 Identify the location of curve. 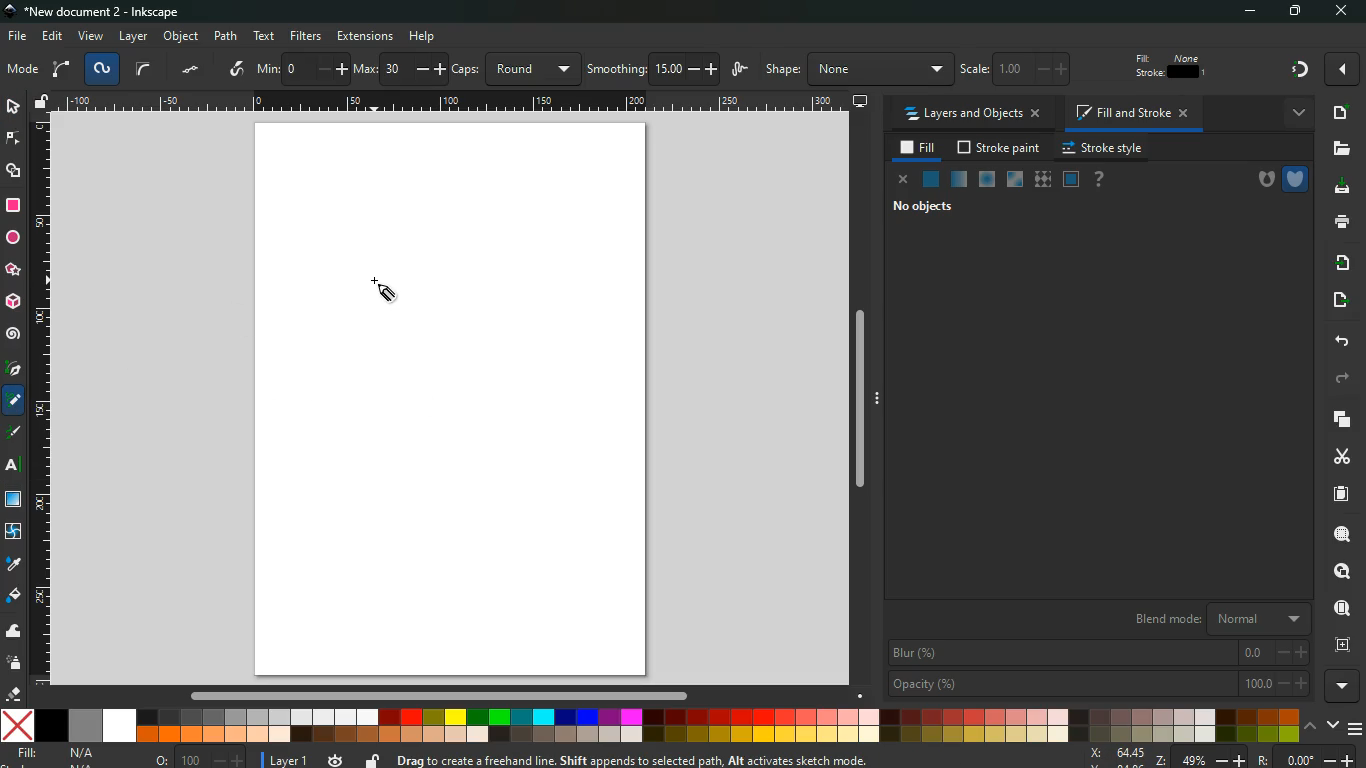
(144, 71).